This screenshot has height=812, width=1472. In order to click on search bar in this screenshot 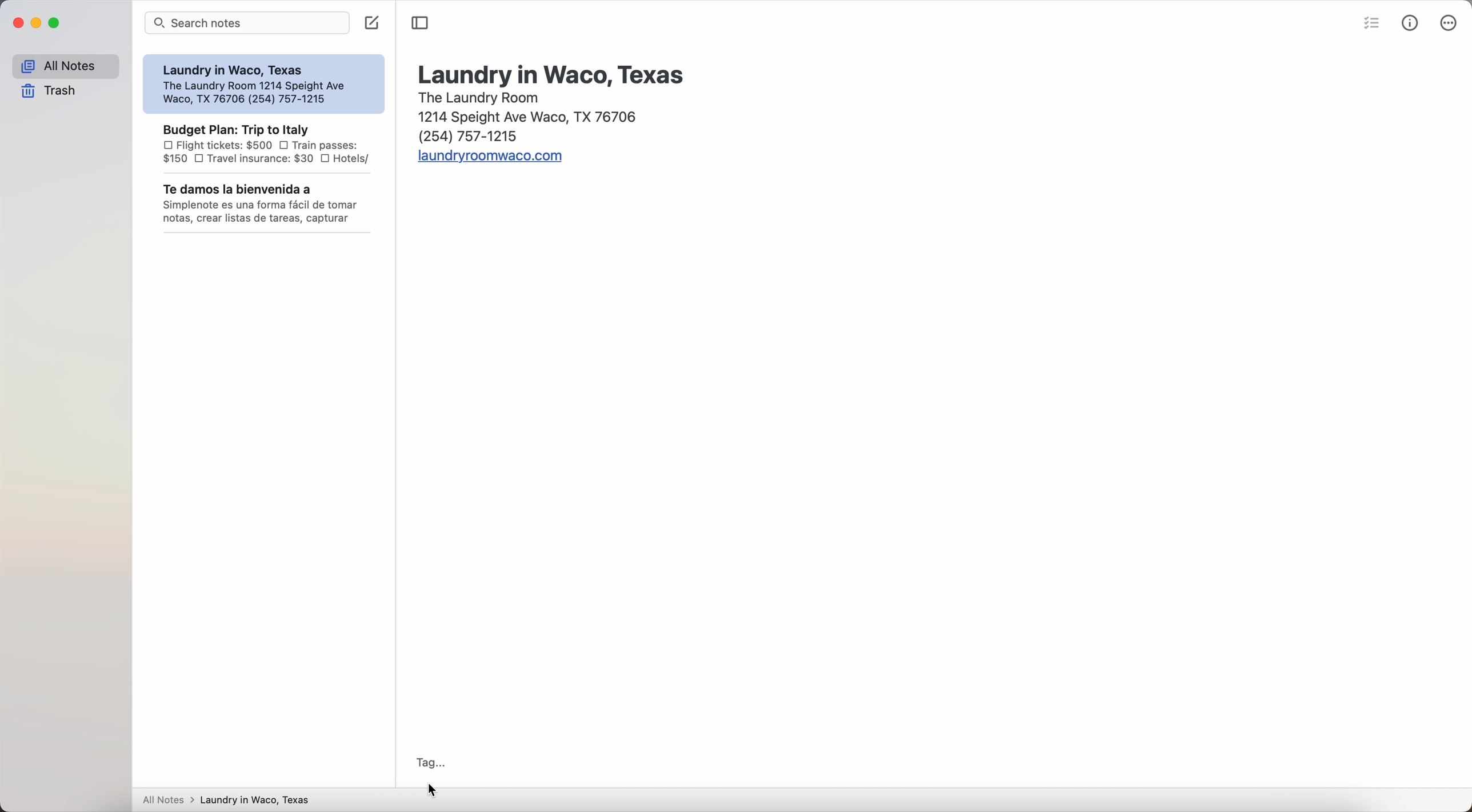, I will do `click(247, 23)`.